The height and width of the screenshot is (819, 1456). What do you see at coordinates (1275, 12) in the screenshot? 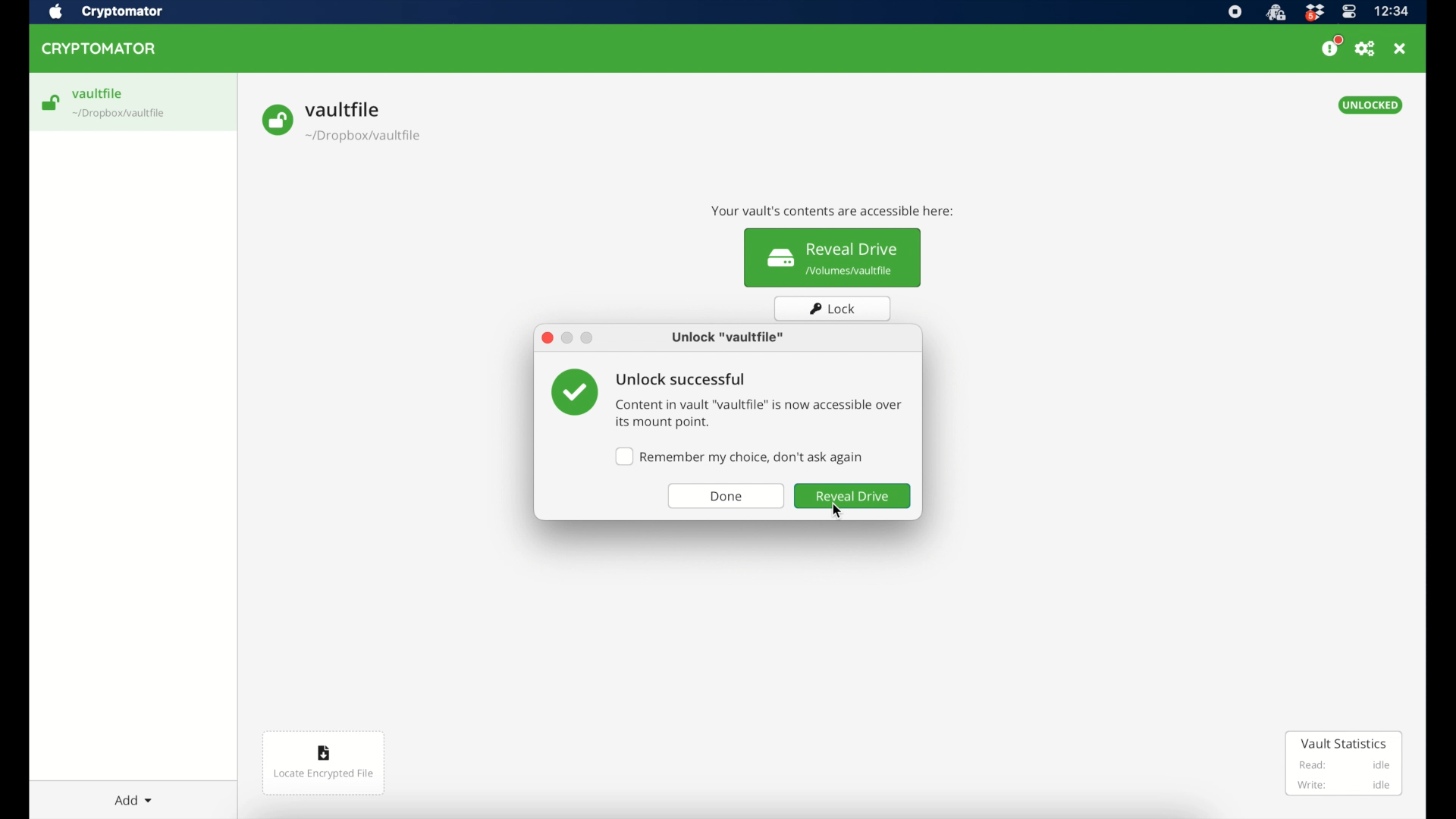
I see `cryptomator icon` at bounding box center [1275, 12].